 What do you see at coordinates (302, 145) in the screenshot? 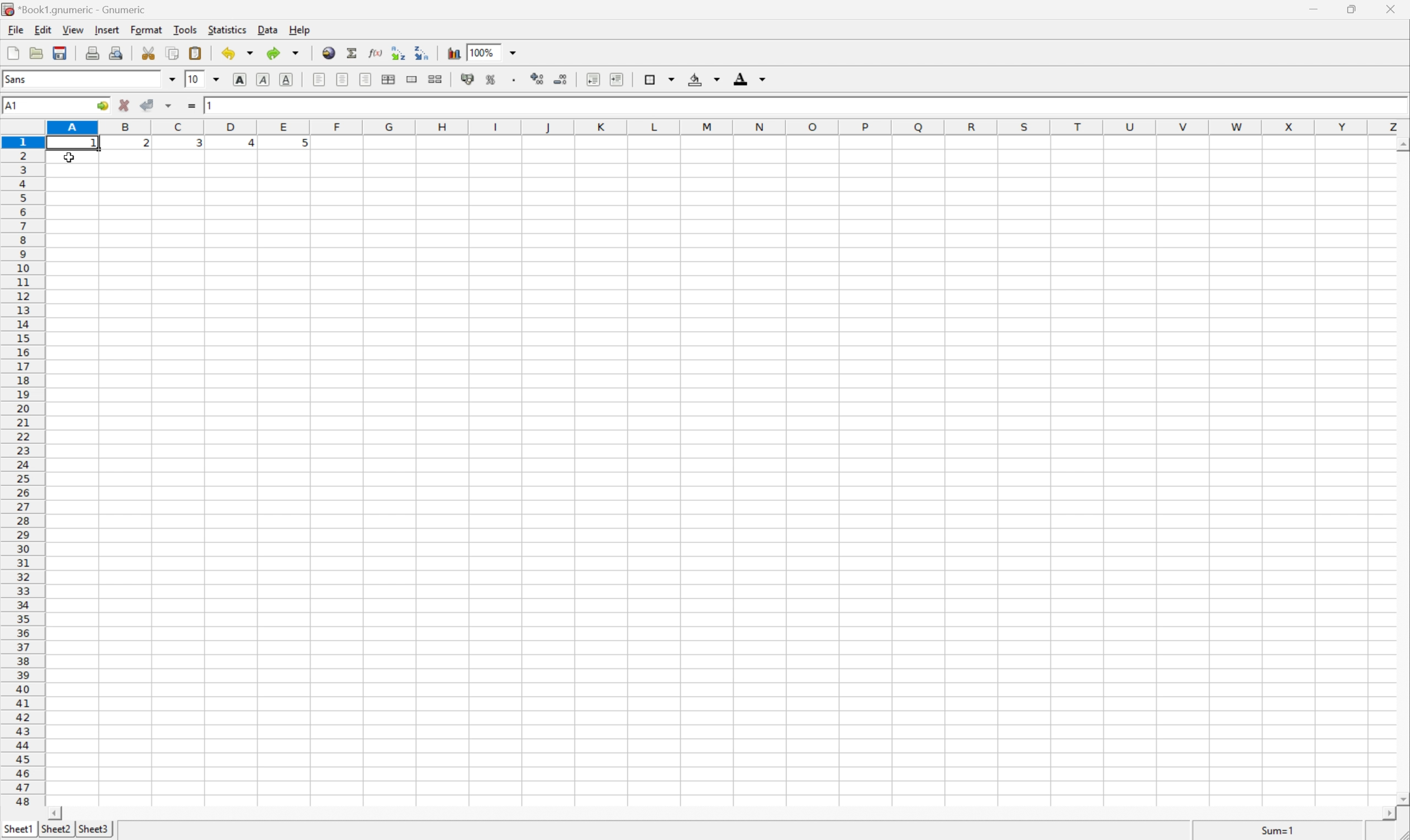
I see `5` at bounding box center [302, 145].